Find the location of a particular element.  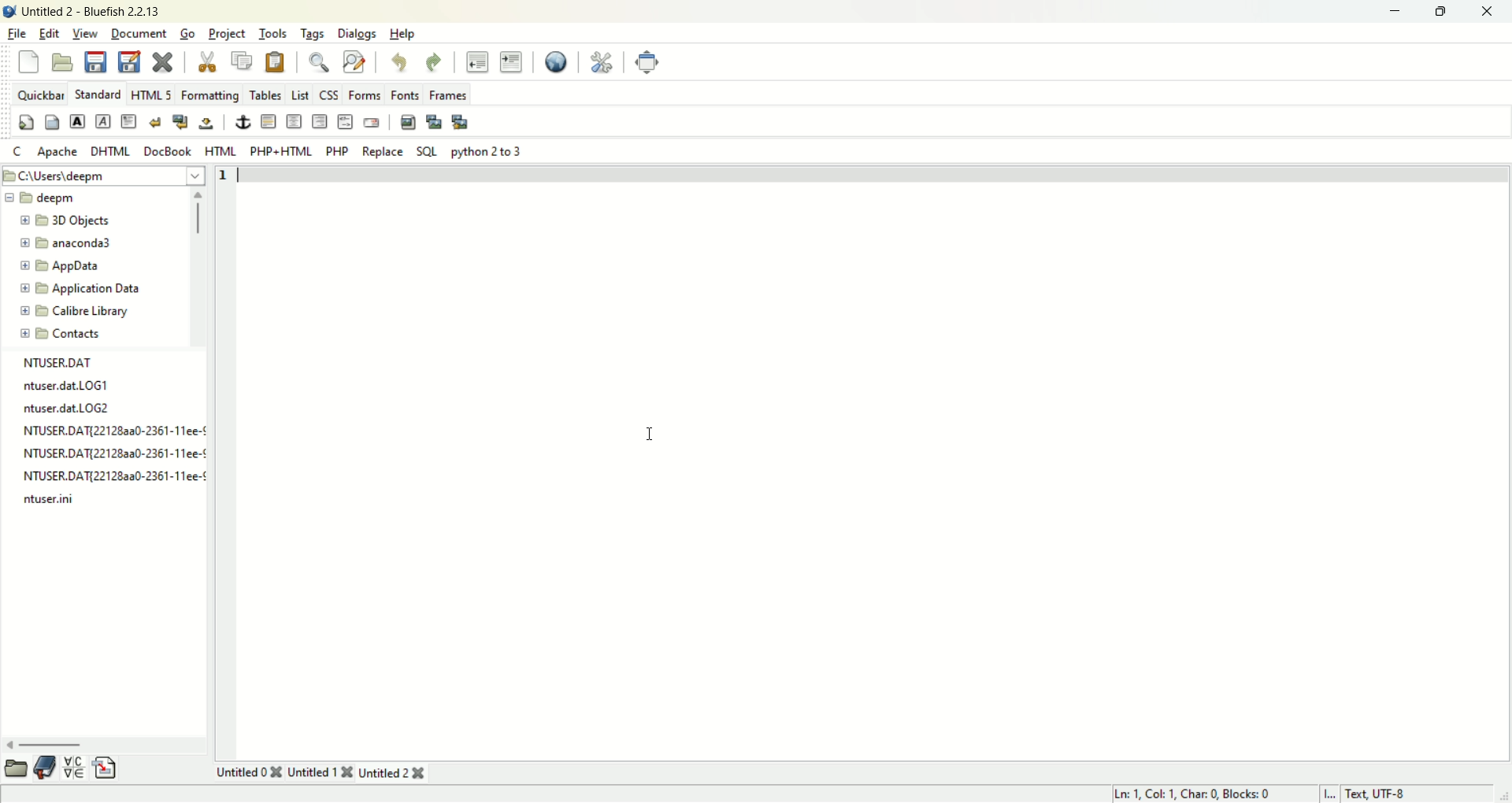

maximize is located at coordinates (1440, 12).